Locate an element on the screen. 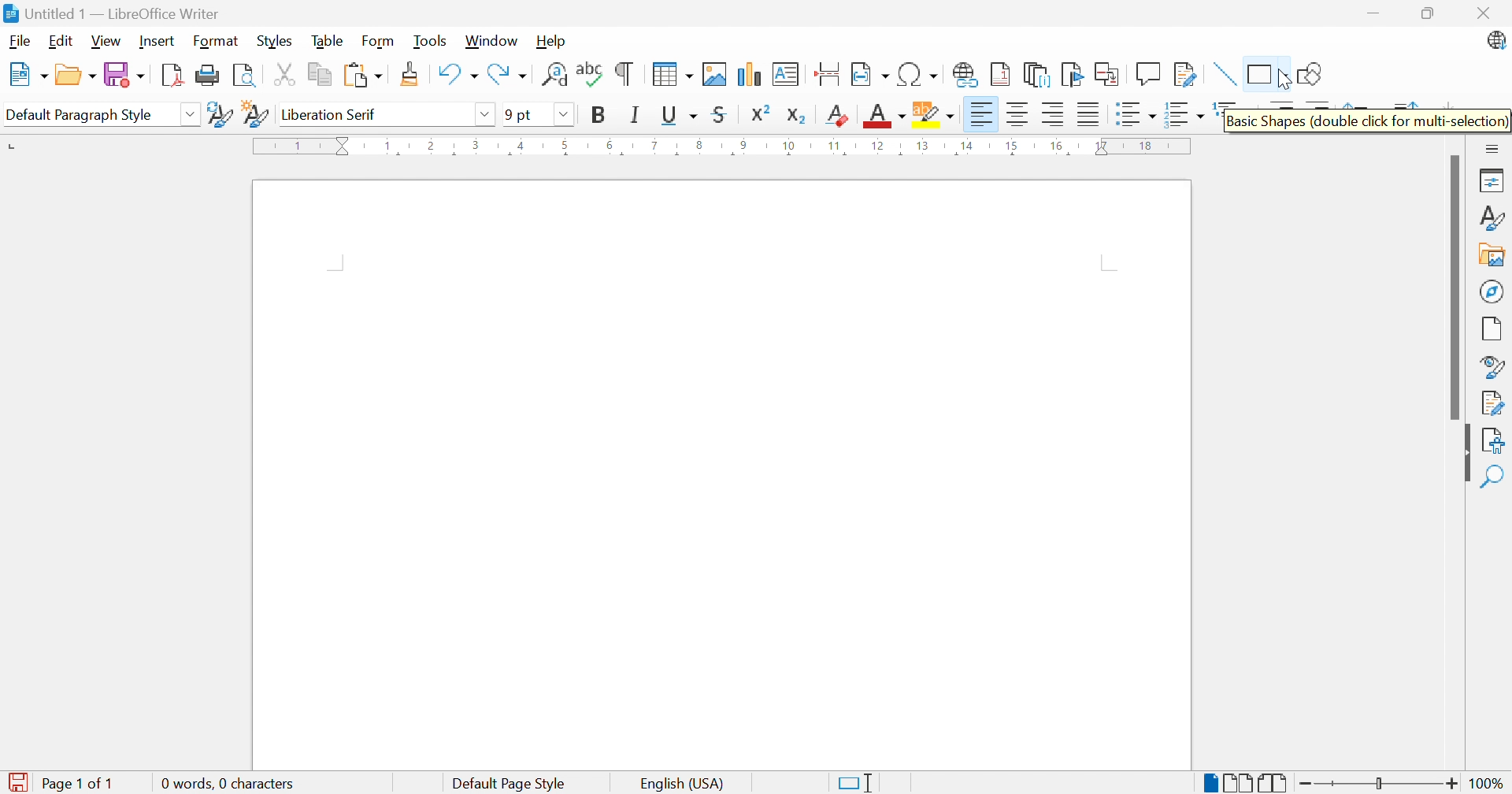 The height and width of the screenshot is (794, 1512). Scale is located at coordinates (721, 146).